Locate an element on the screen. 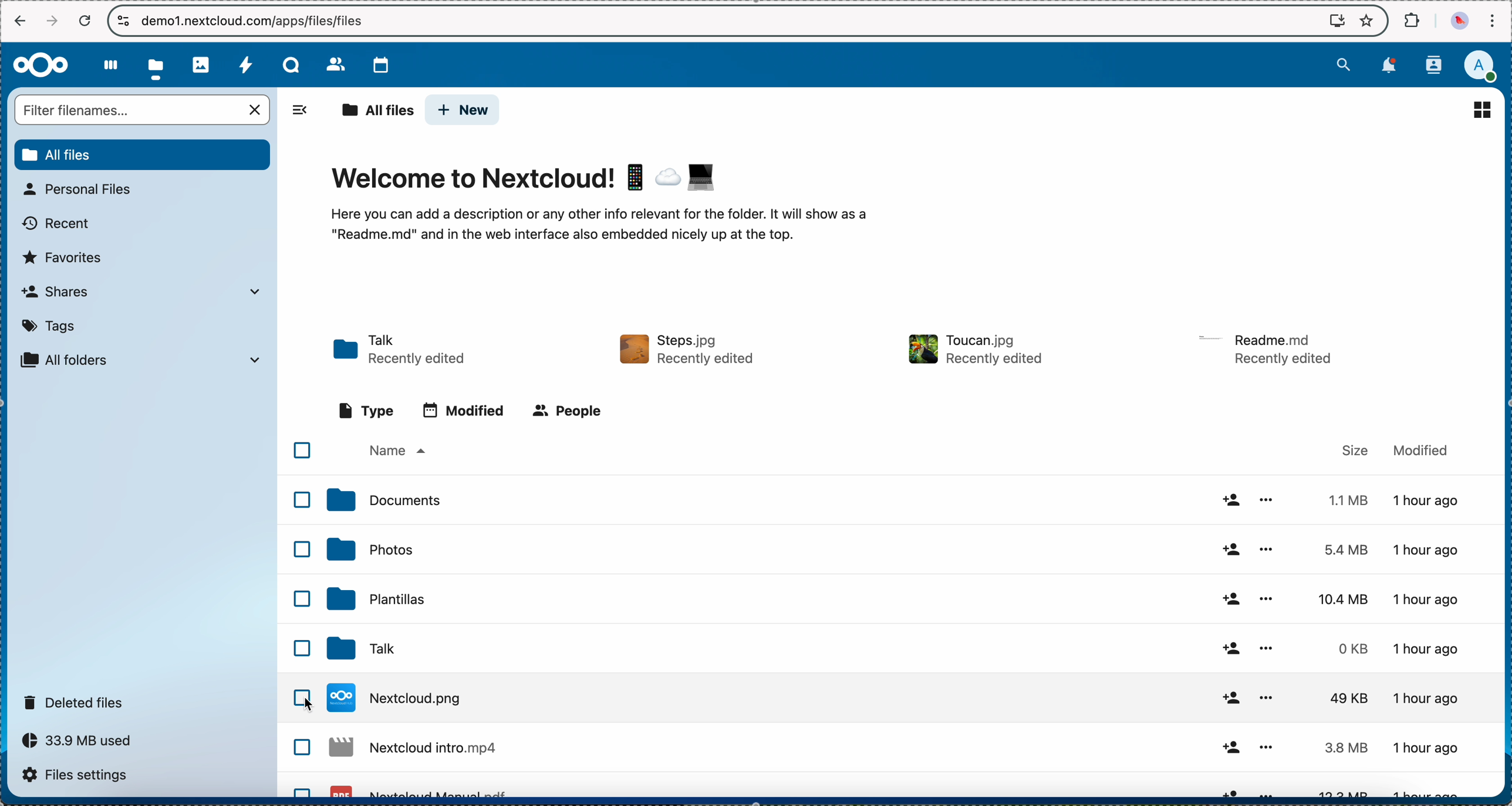 This screenshot has height=806, width=1512. Nextcloud logo is located at coordinates (39, 65).